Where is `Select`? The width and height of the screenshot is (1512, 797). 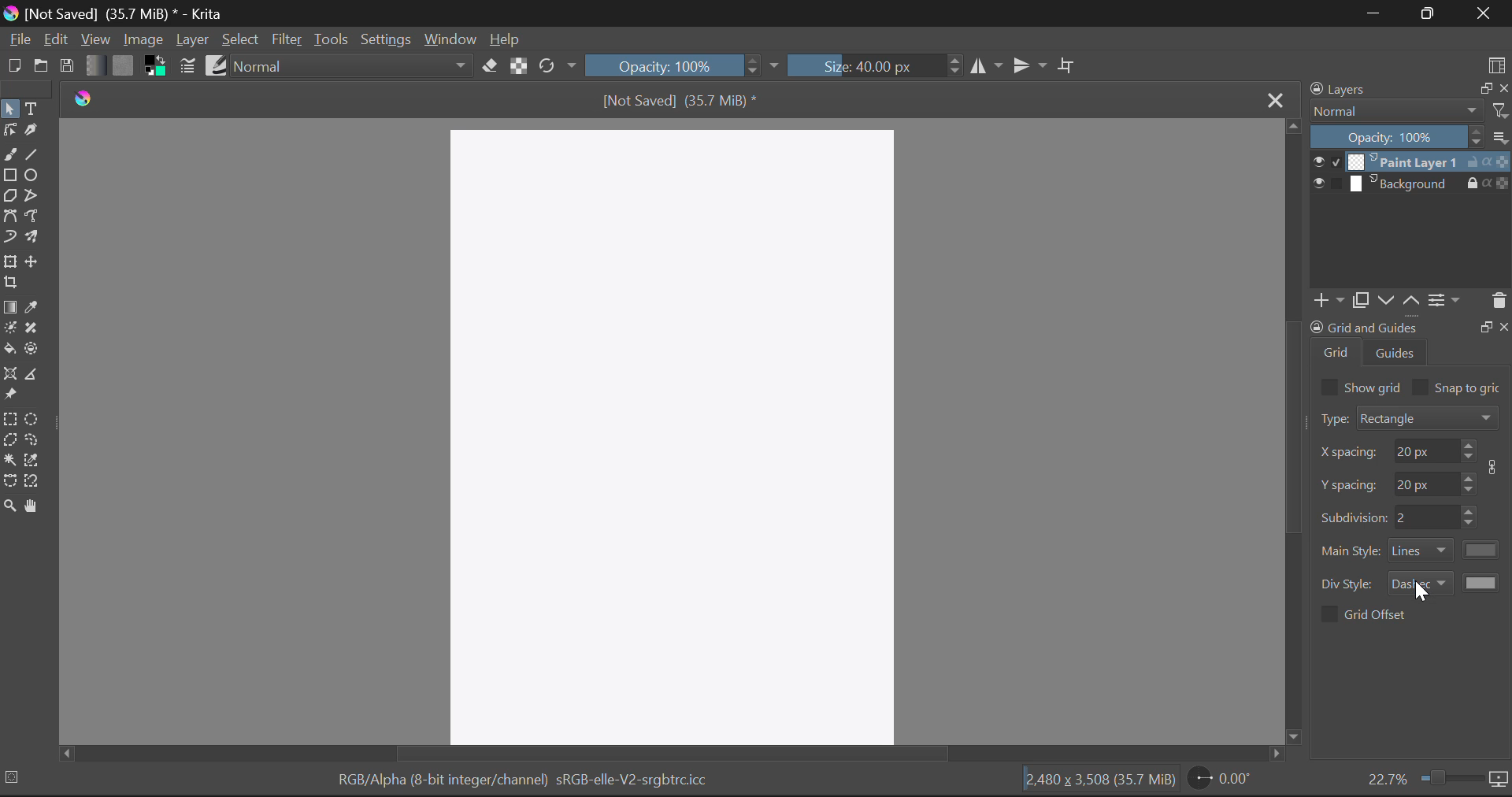
Select is located at coordinates (9, 109).